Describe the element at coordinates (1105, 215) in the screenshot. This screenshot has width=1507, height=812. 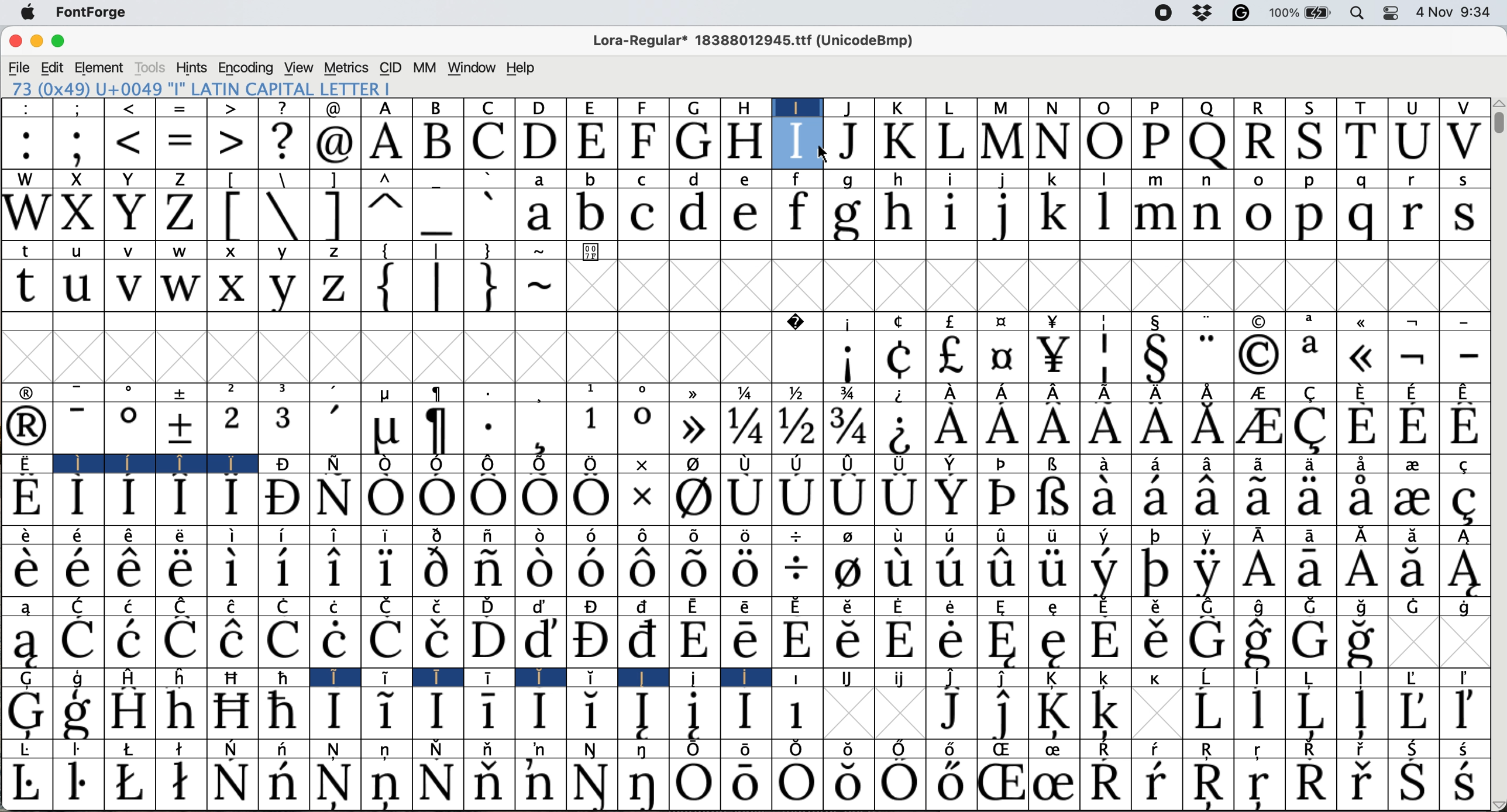
I see `l` at that location.